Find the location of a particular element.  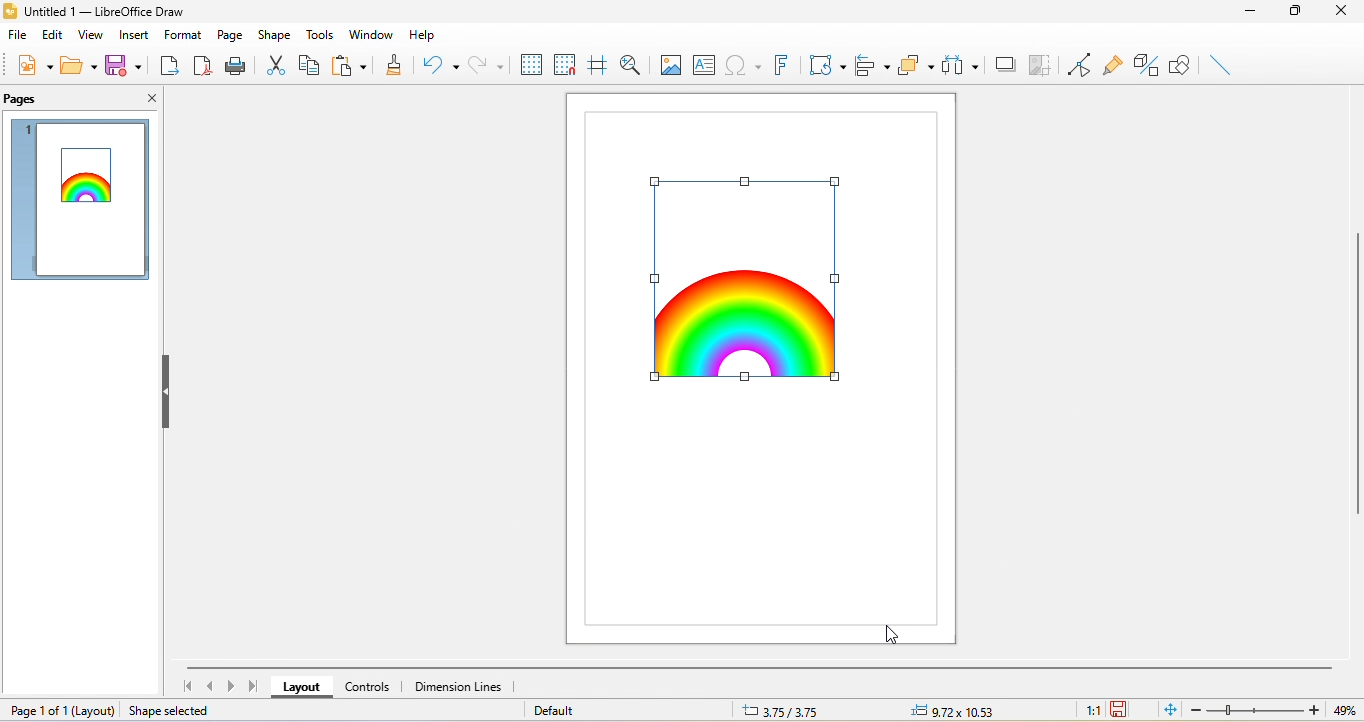

redo is located at coordinates (487, 65).